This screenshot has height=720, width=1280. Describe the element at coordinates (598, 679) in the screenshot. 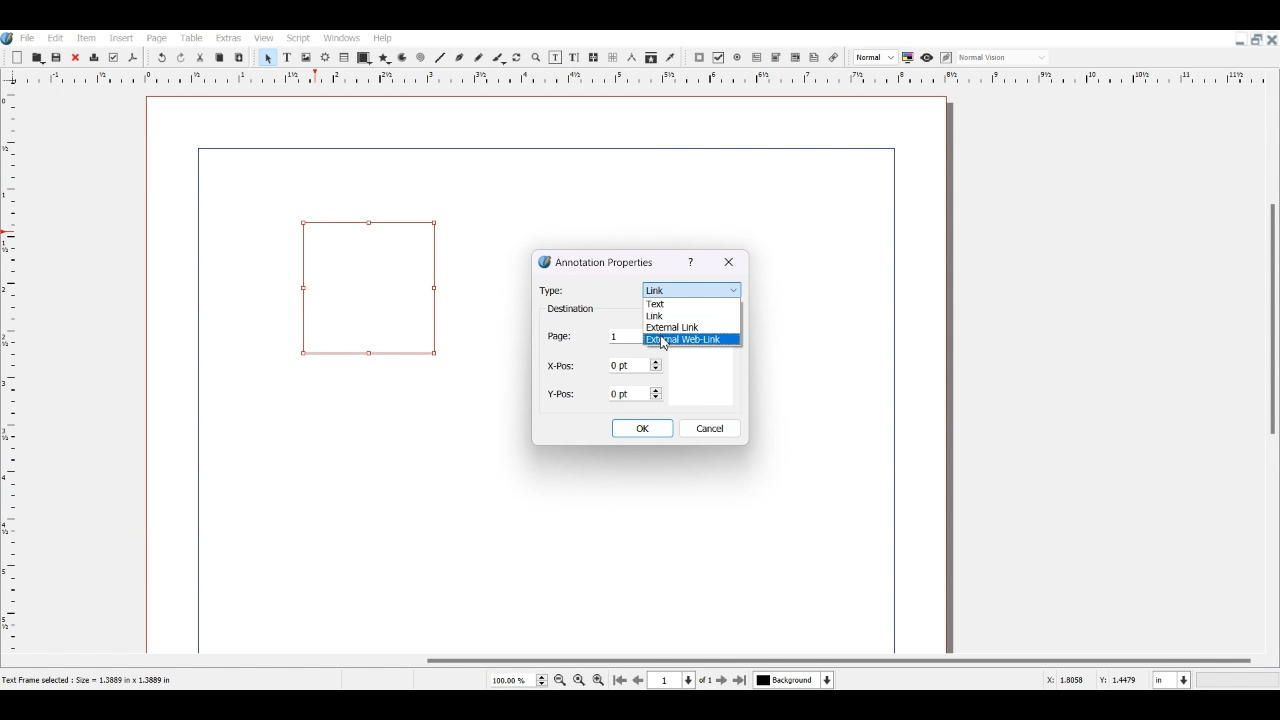

I see `Zoom in` at that location.